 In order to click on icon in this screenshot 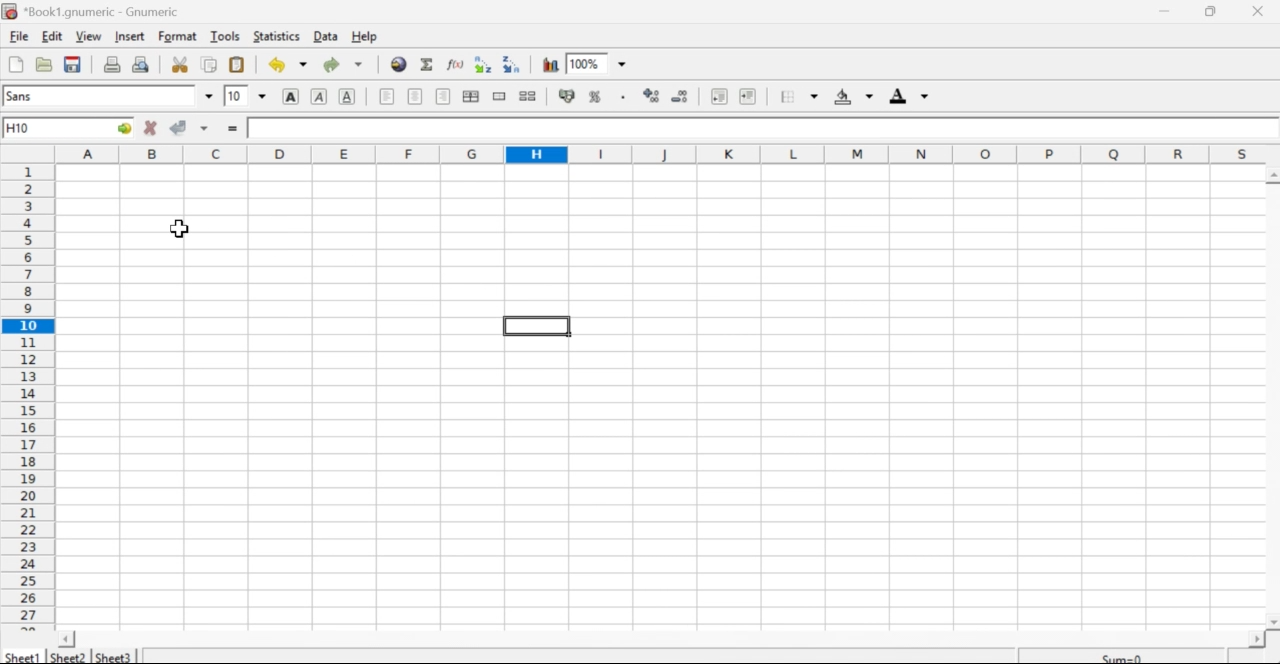, I will do `click(565, 96)`.